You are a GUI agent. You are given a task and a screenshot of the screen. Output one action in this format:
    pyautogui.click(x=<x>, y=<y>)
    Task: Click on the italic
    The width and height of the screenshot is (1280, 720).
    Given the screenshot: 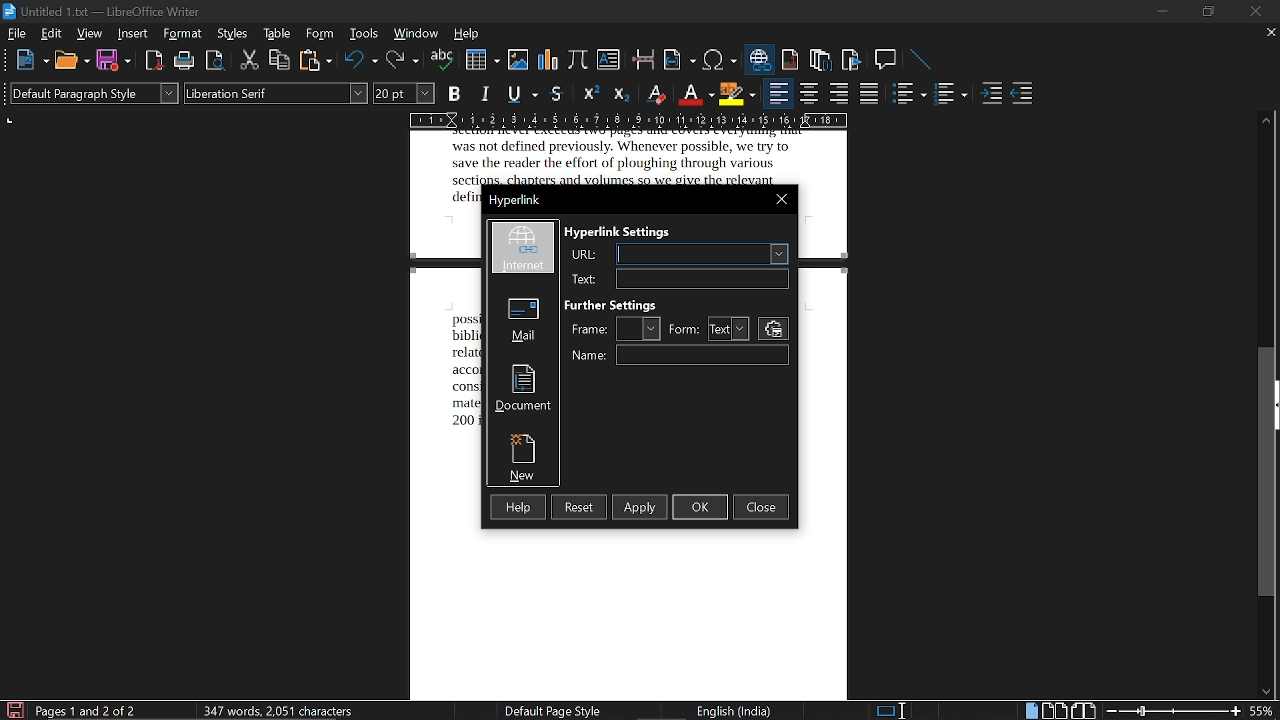 What is the action you would take?
    pyautogui.click(x=488, y=92)
    